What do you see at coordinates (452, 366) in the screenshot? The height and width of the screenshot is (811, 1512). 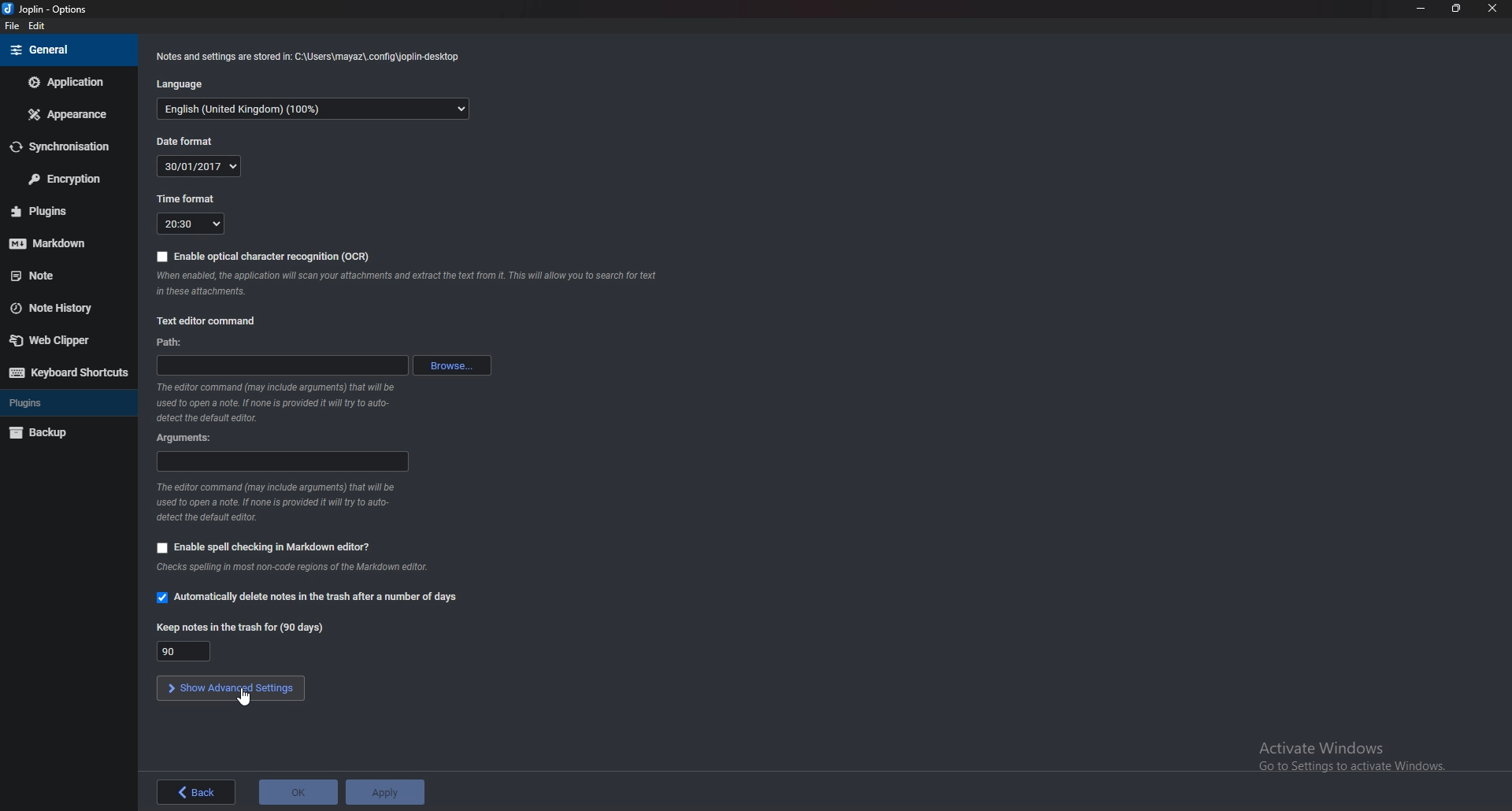 I see `browse` at bounding box center [452, 366].